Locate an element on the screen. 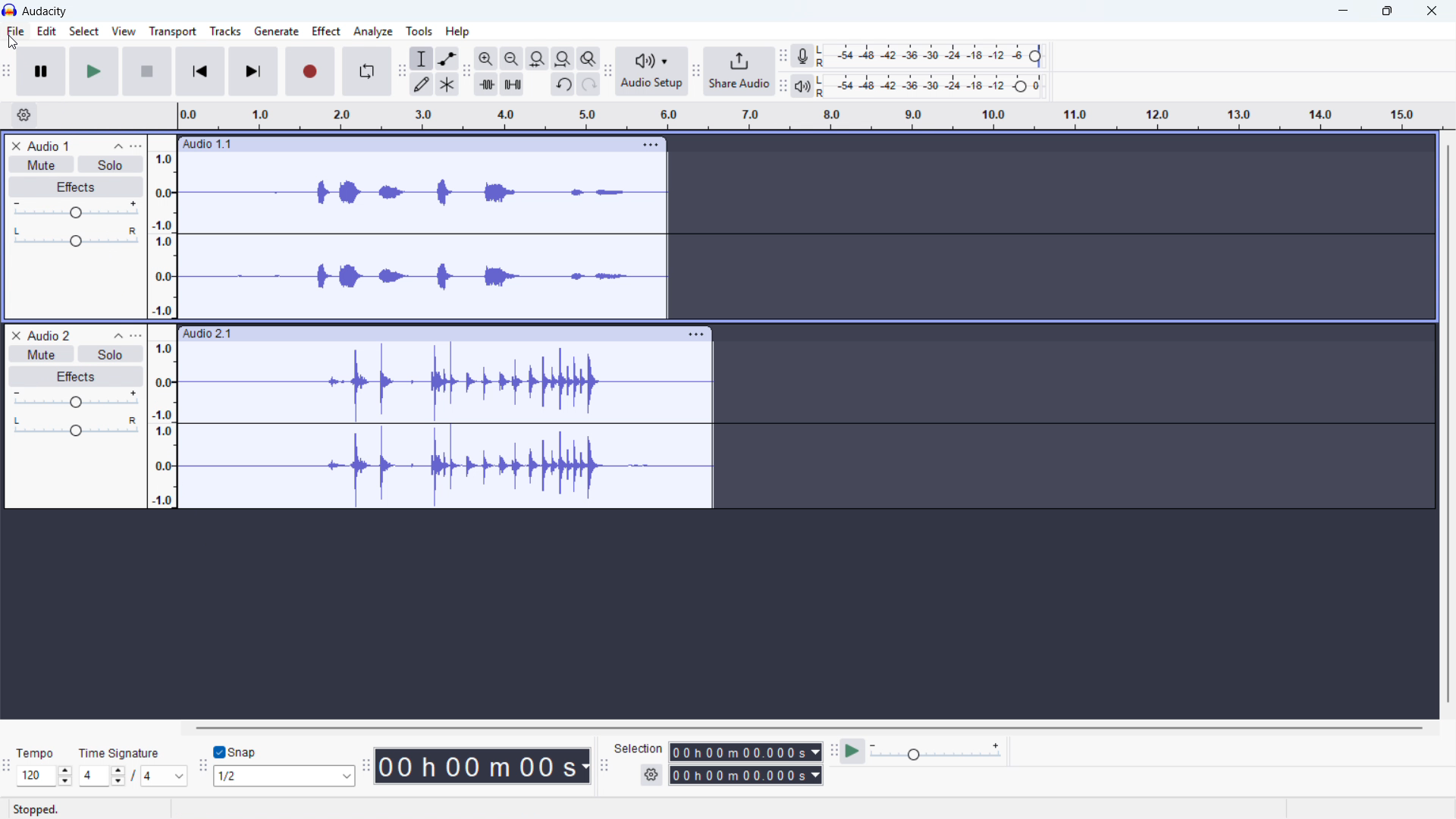 The width and height of the screenshot is (1456, 819). Recording metre toolbar is located at coordinates (783, 56).